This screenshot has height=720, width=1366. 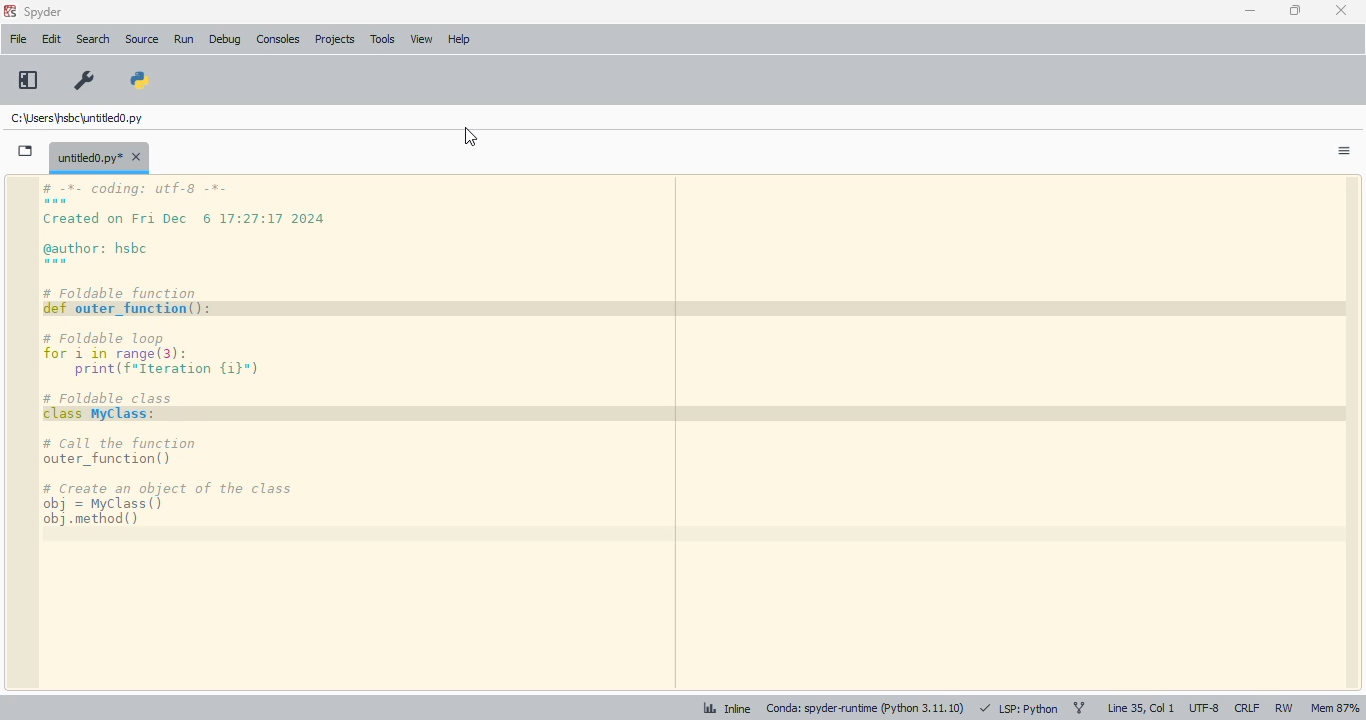 What do you see at coordinates (142, 40) in the screenshot?
I see `source` at bounding box center [142, 40].